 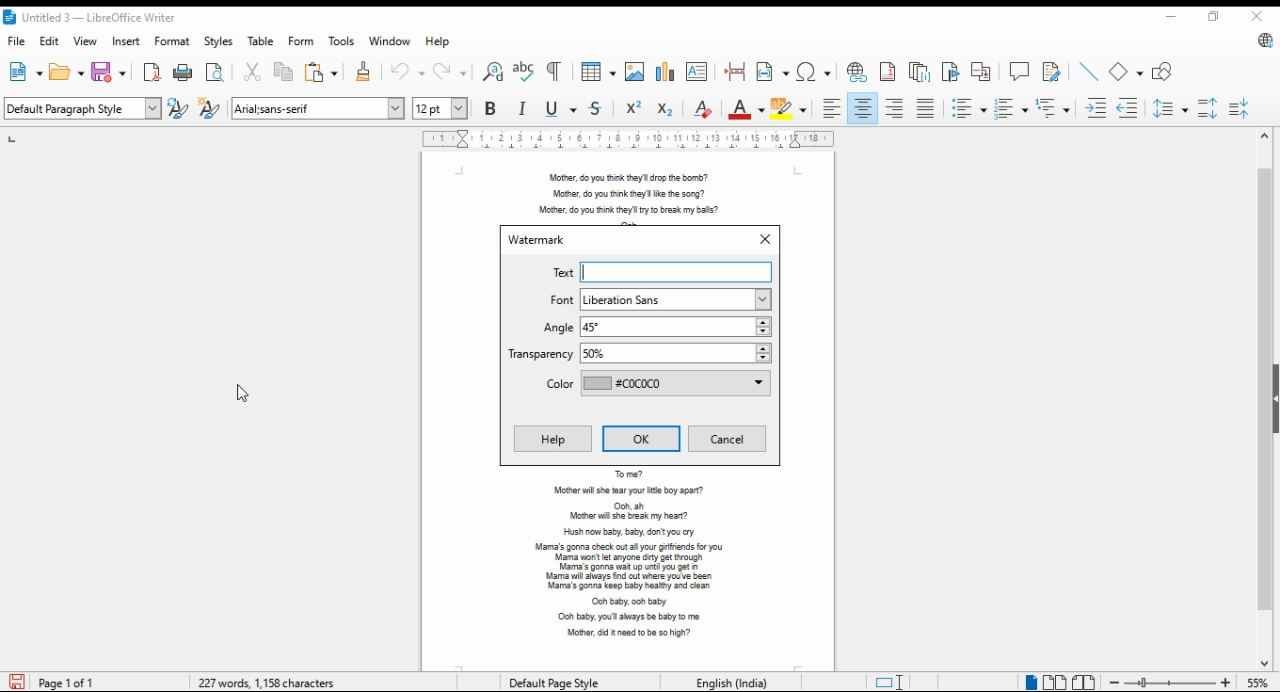 What do you see at coordinates (832, 108) in the screenshot?
I see `align left` at bounding box center [832, 108].